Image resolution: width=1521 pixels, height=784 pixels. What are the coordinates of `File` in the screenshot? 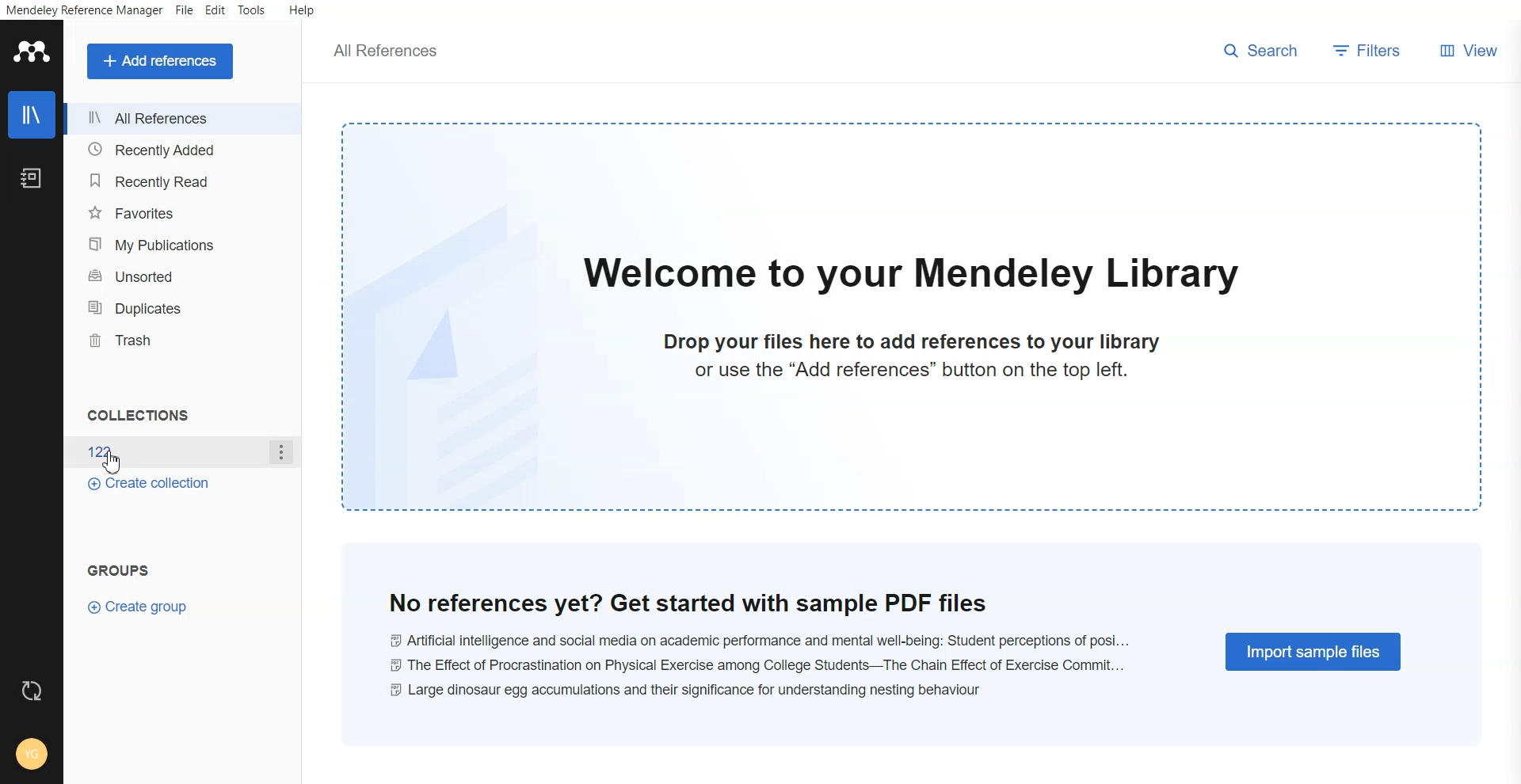 It's located at (185, 10).